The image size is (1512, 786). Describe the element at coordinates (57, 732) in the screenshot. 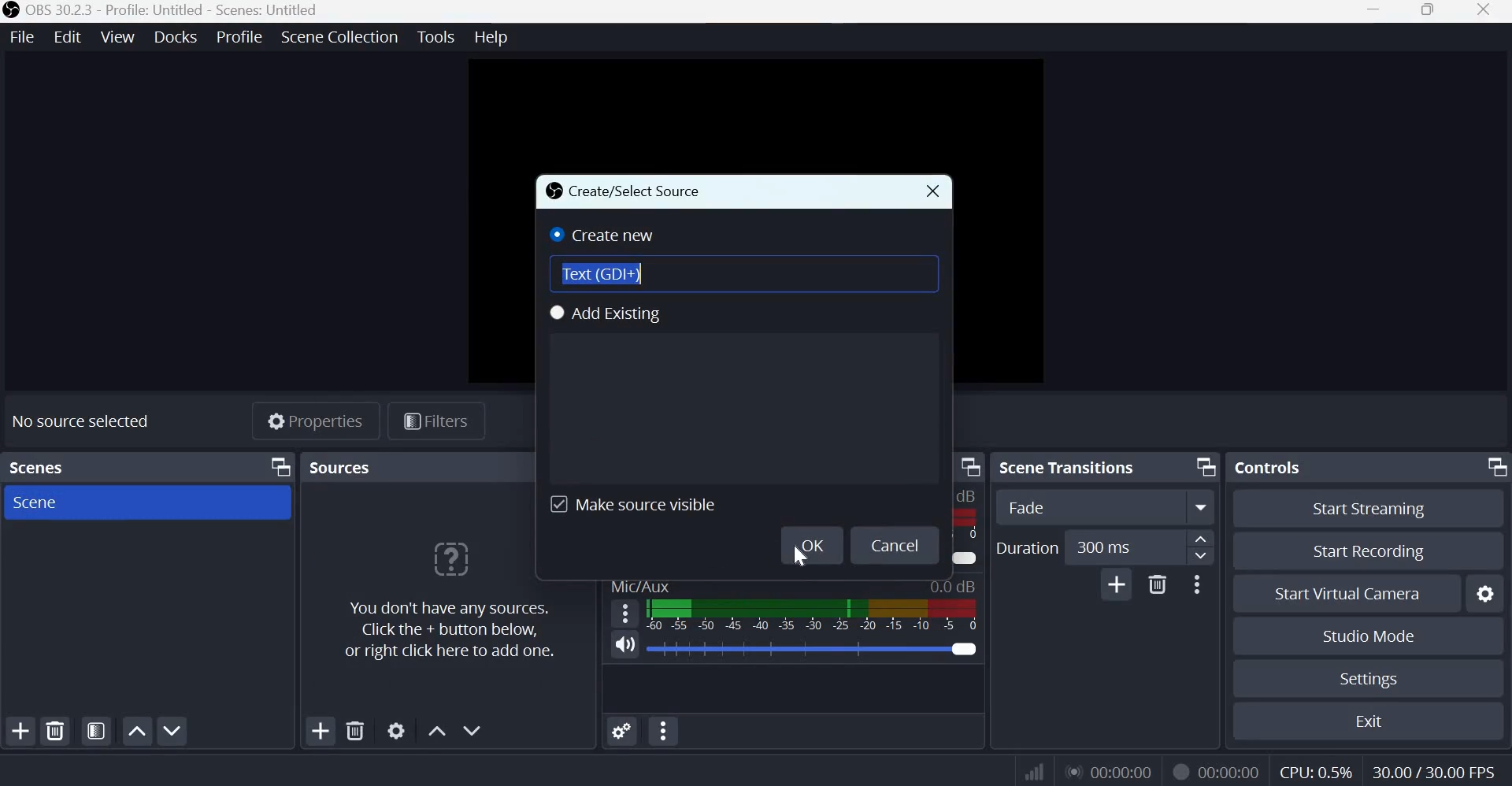

I see `Remove selected scene` at that location.